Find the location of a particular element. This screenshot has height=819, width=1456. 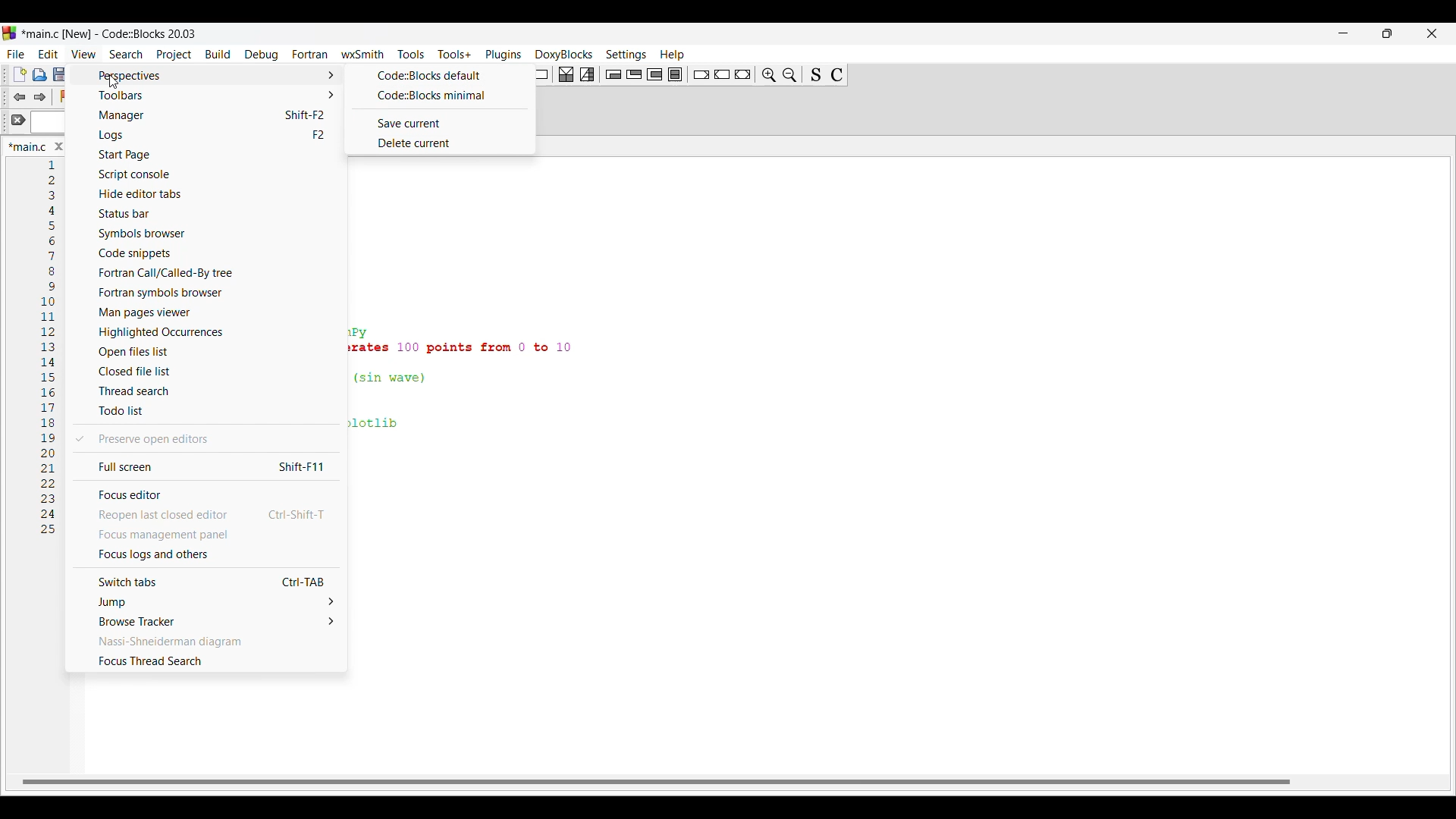

Focus logs and others is located at coordinates (206, 554).